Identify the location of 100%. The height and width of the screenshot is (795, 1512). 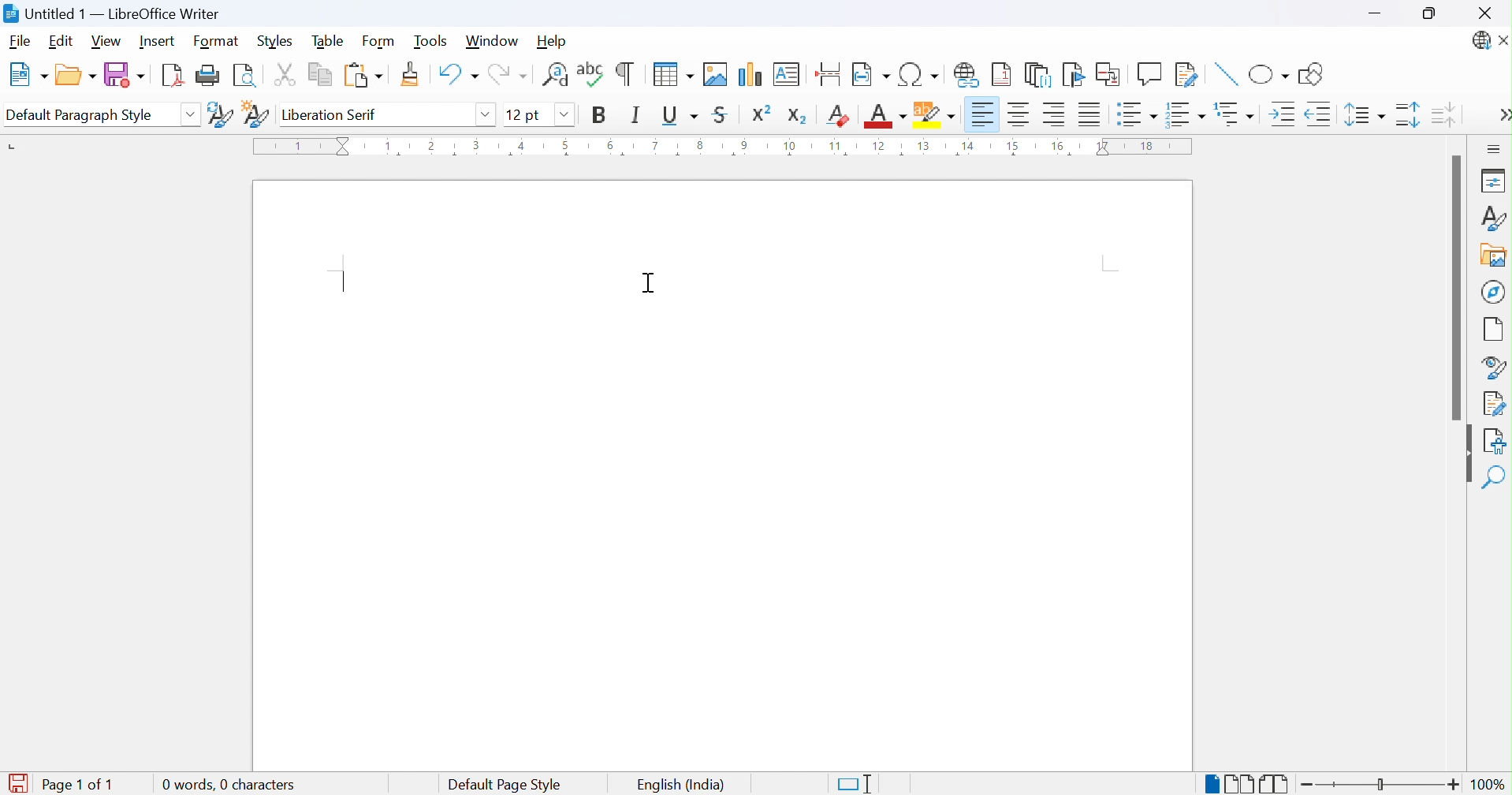
(1488, 785).